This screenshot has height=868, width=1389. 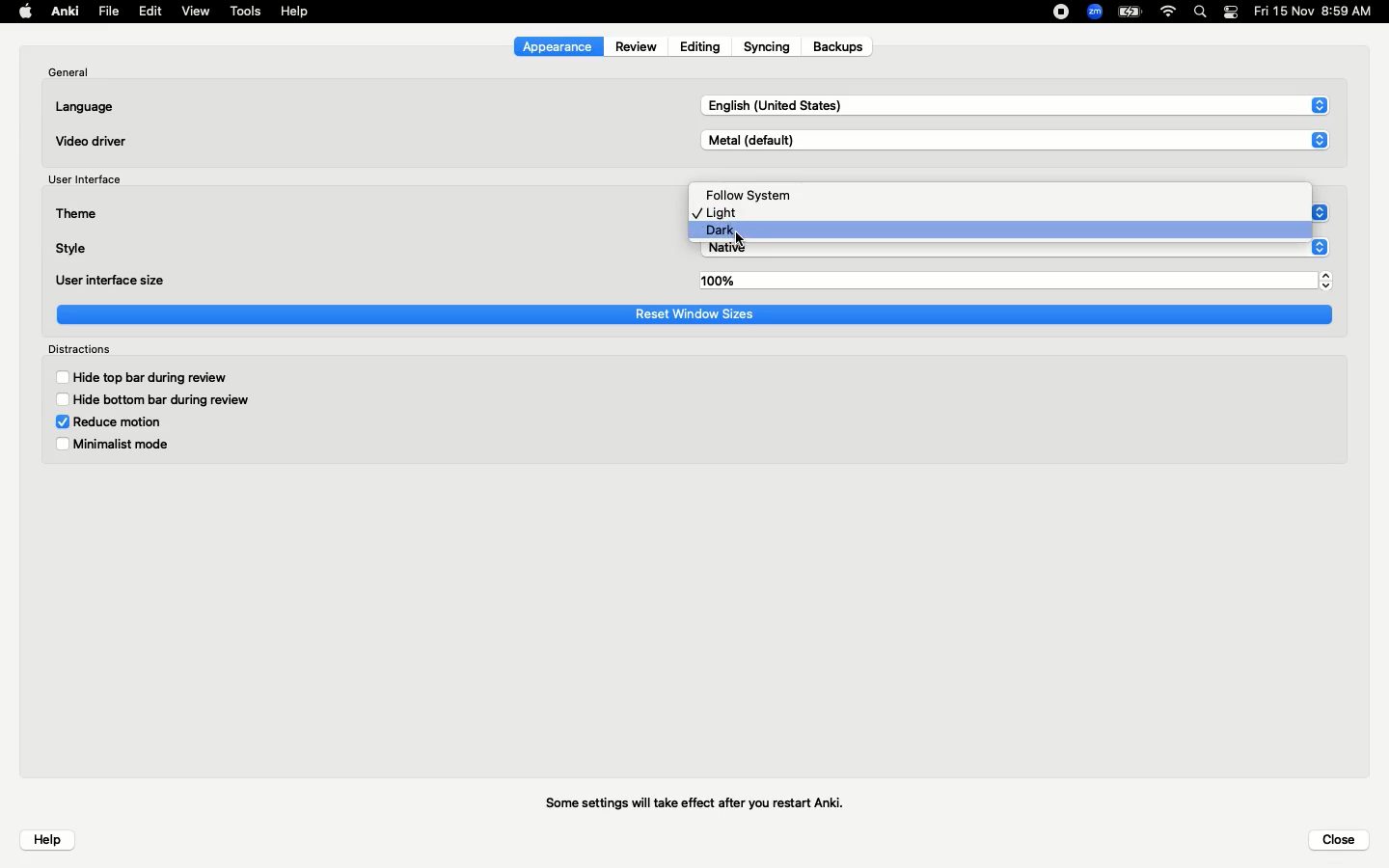 I want to click on Help, so click(x=47, y=839).